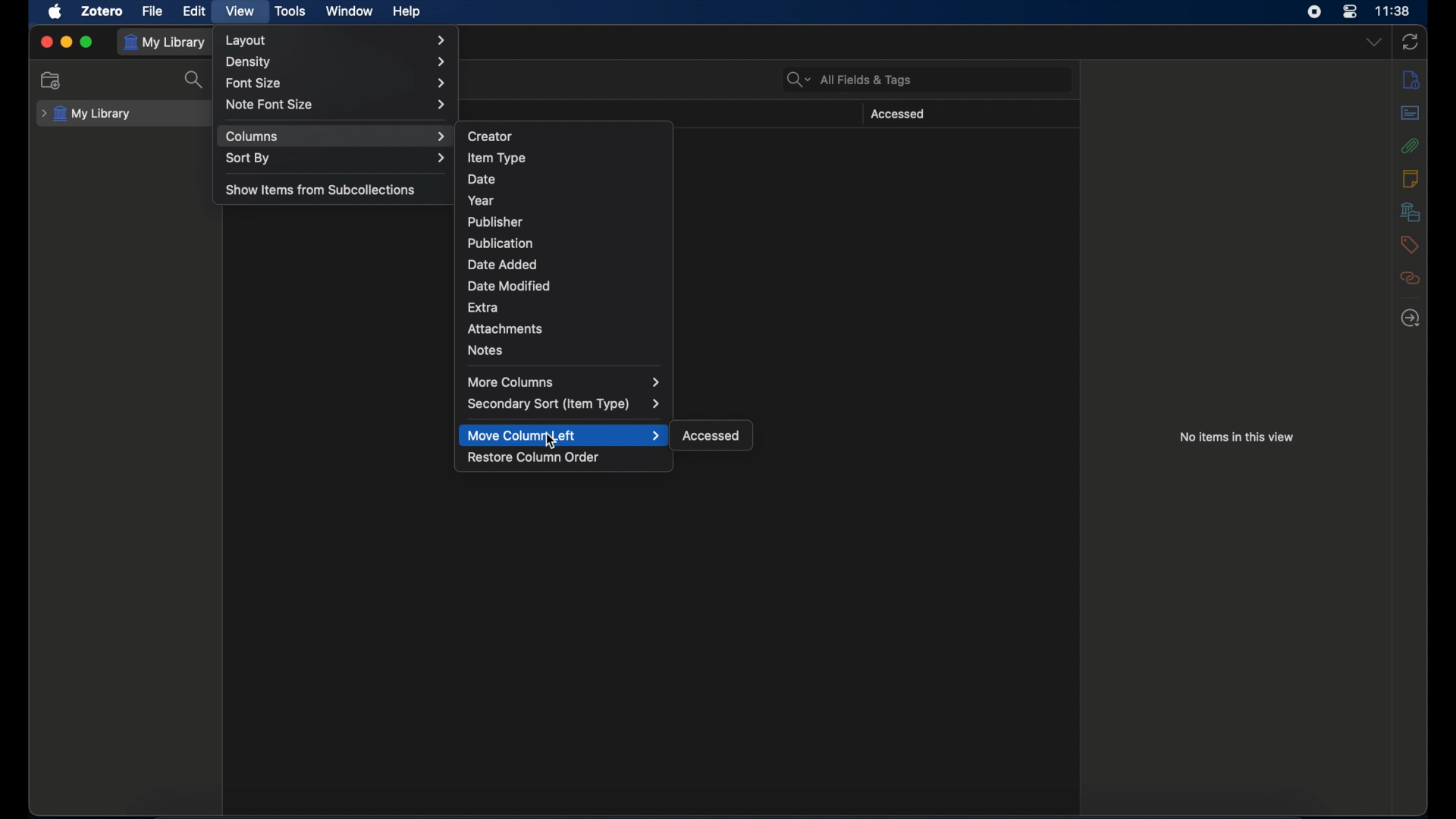  I want to click on close, so click(46, 42).